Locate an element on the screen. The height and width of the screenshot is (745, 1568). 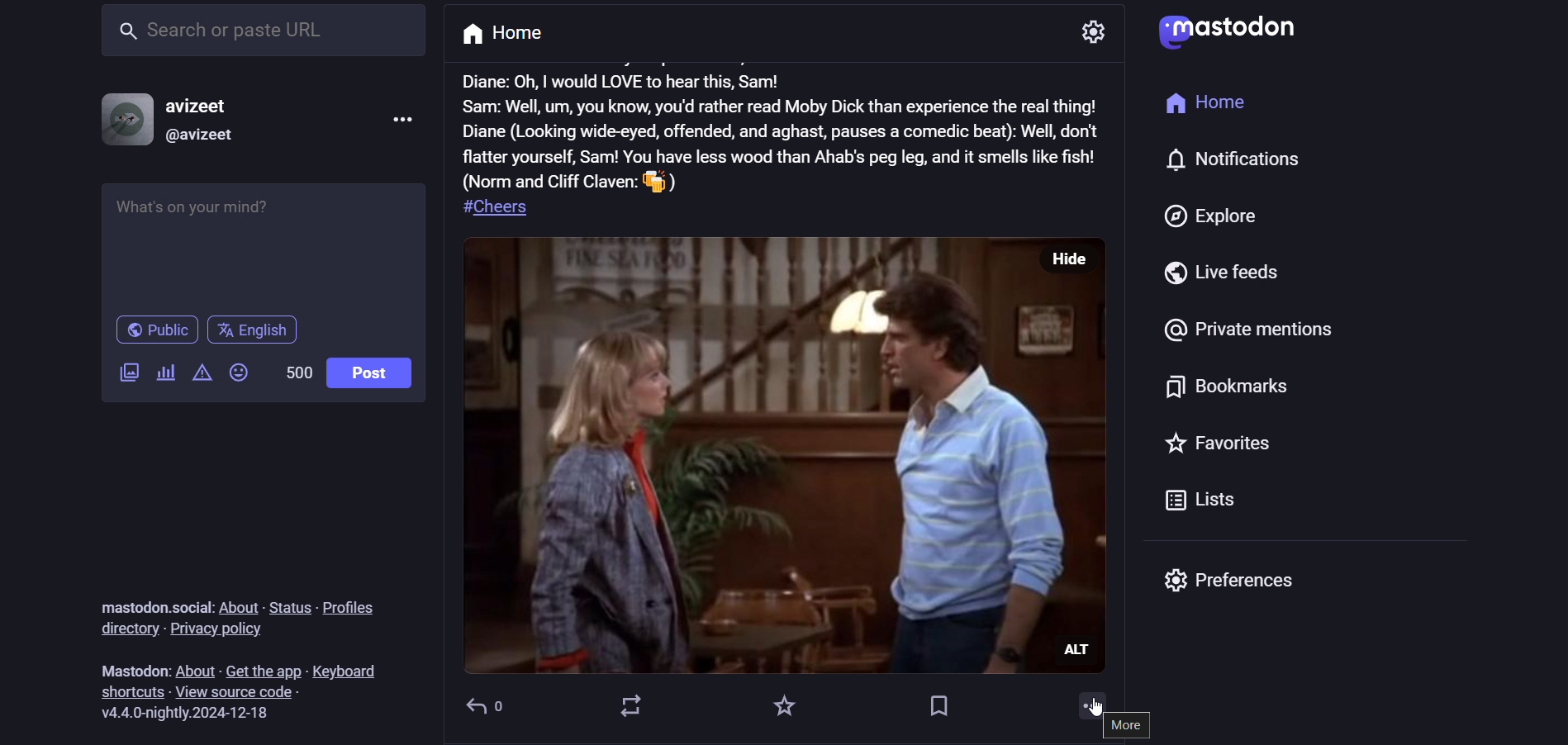
public is located at coordinates (154, 331).